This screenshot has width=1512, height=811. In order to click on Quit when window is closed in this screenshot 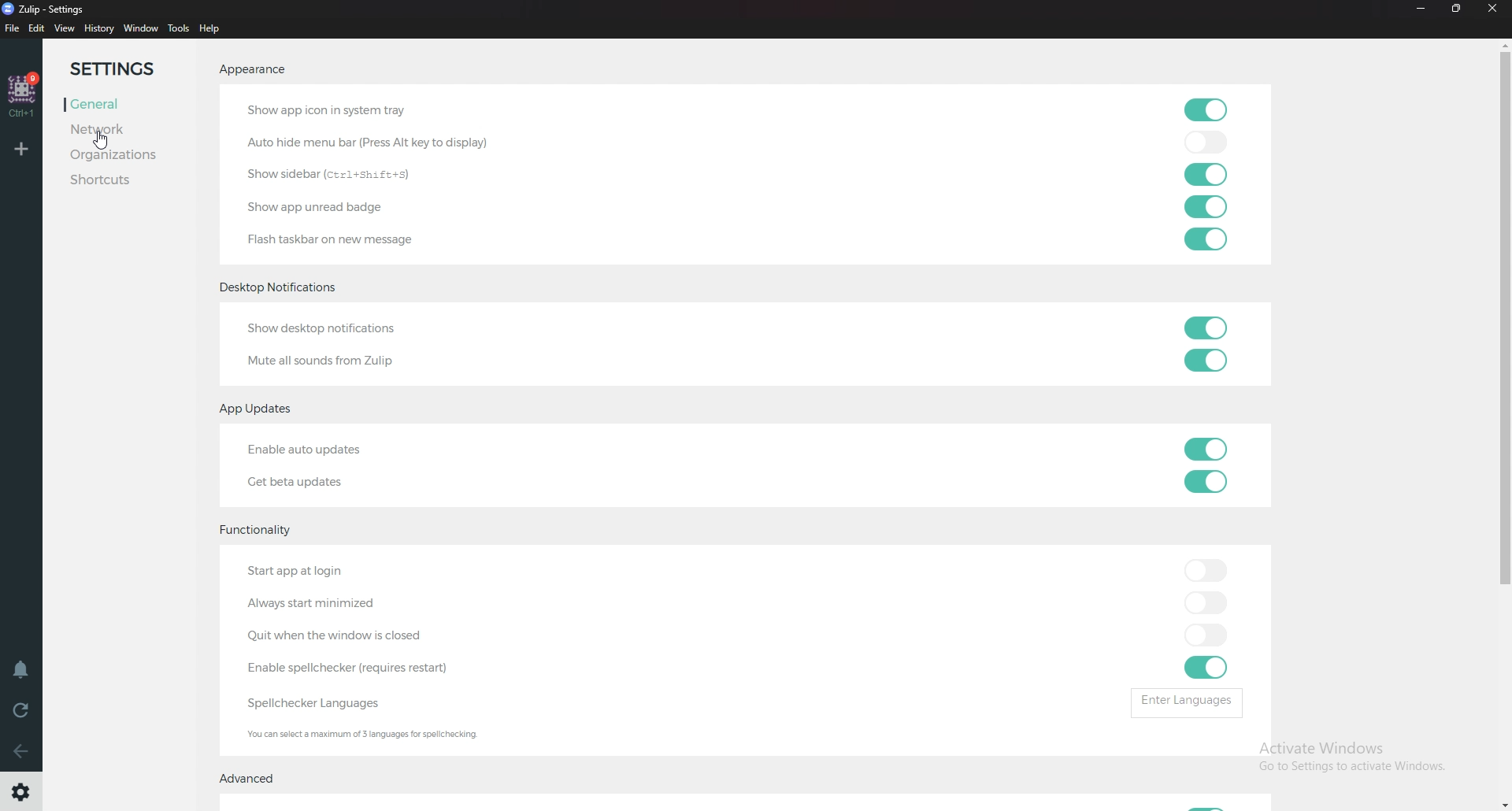, I will do `click(375, 635)`.